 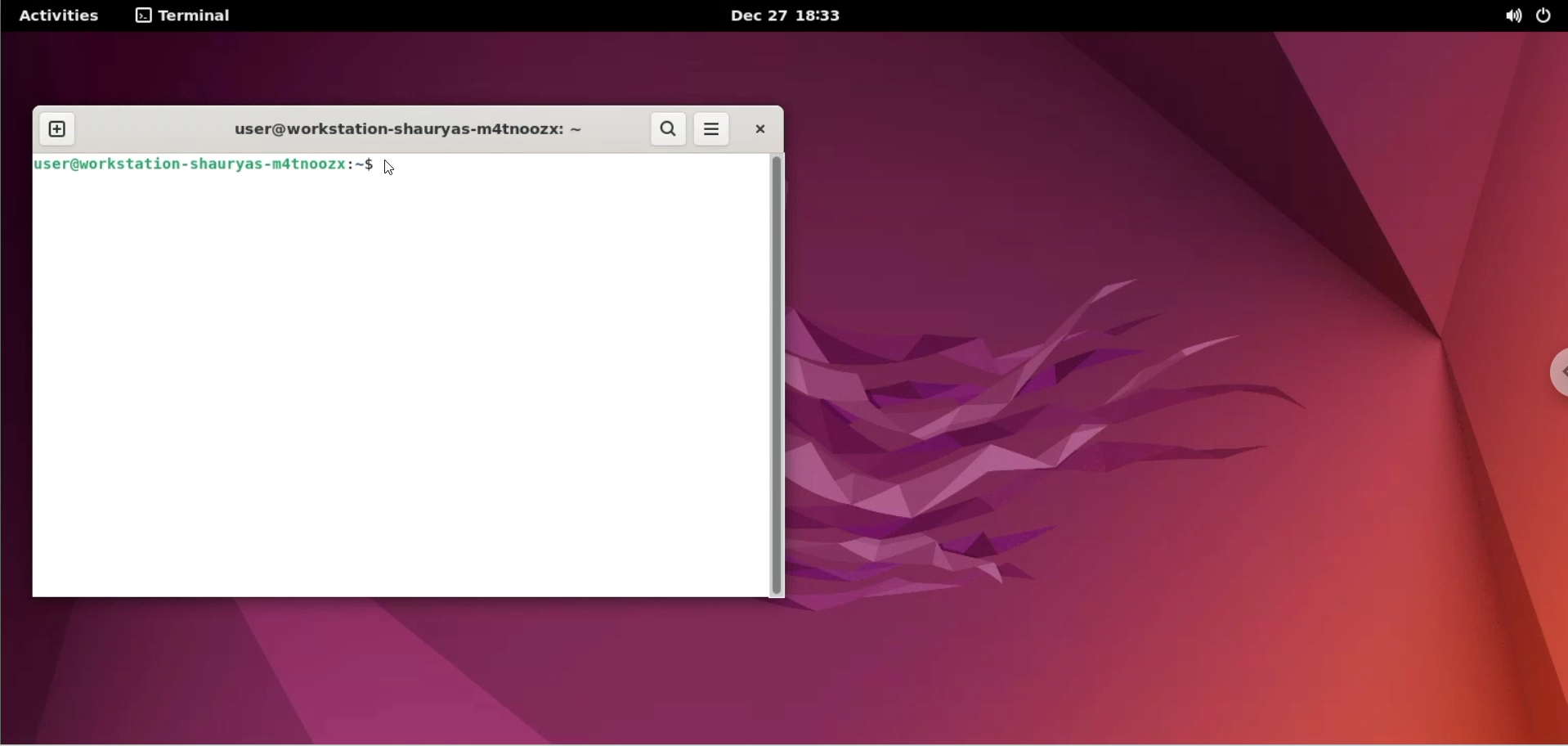 What do you see at coordinates (56, 128) in the screenshot?
I see `new tab` at bounding box center [56, 128].